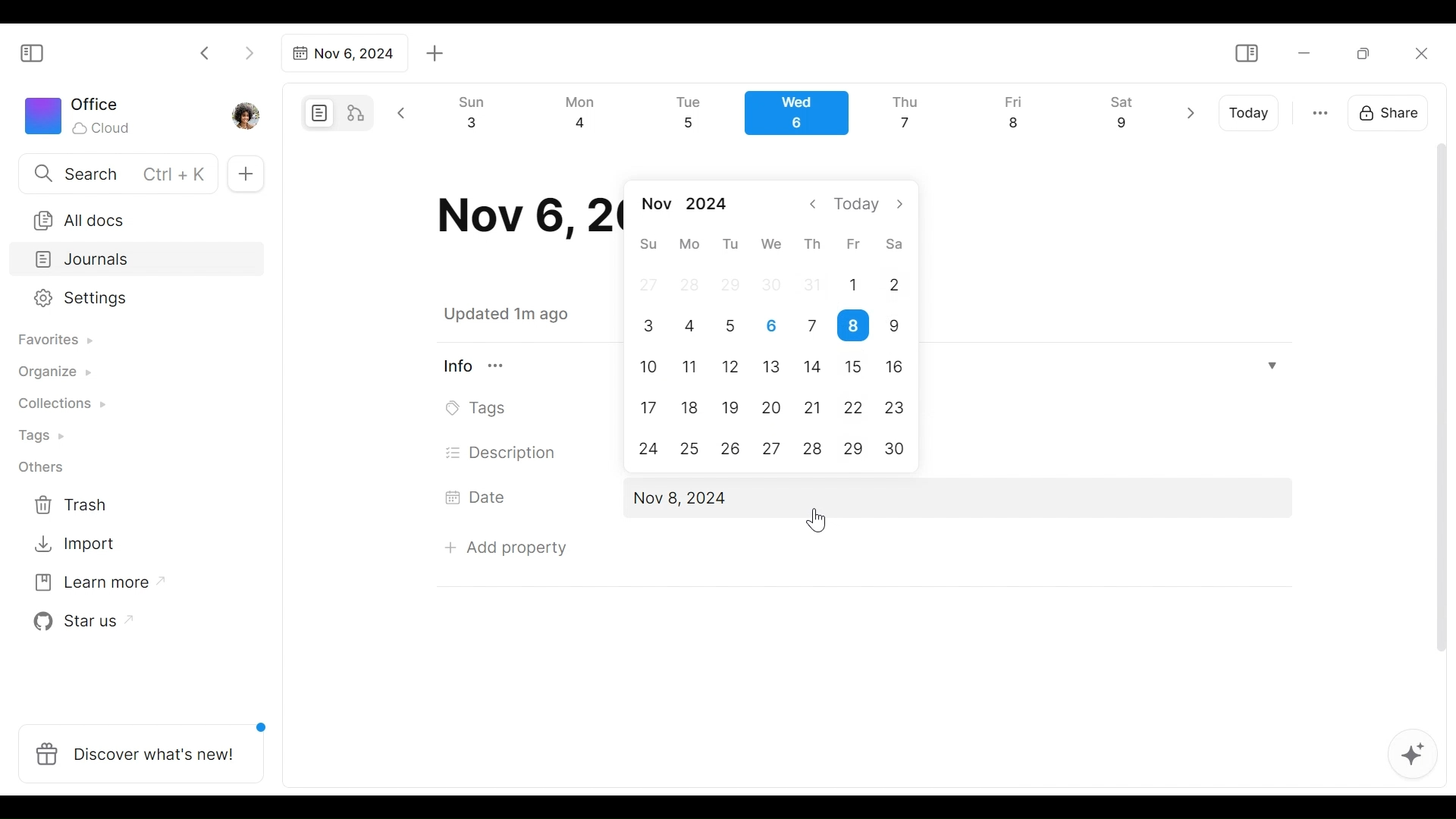 This screenshot has height=819, width=1456. Describe the element at coordinates (131, 218) in the screenshot. I see `All documents` at that location.